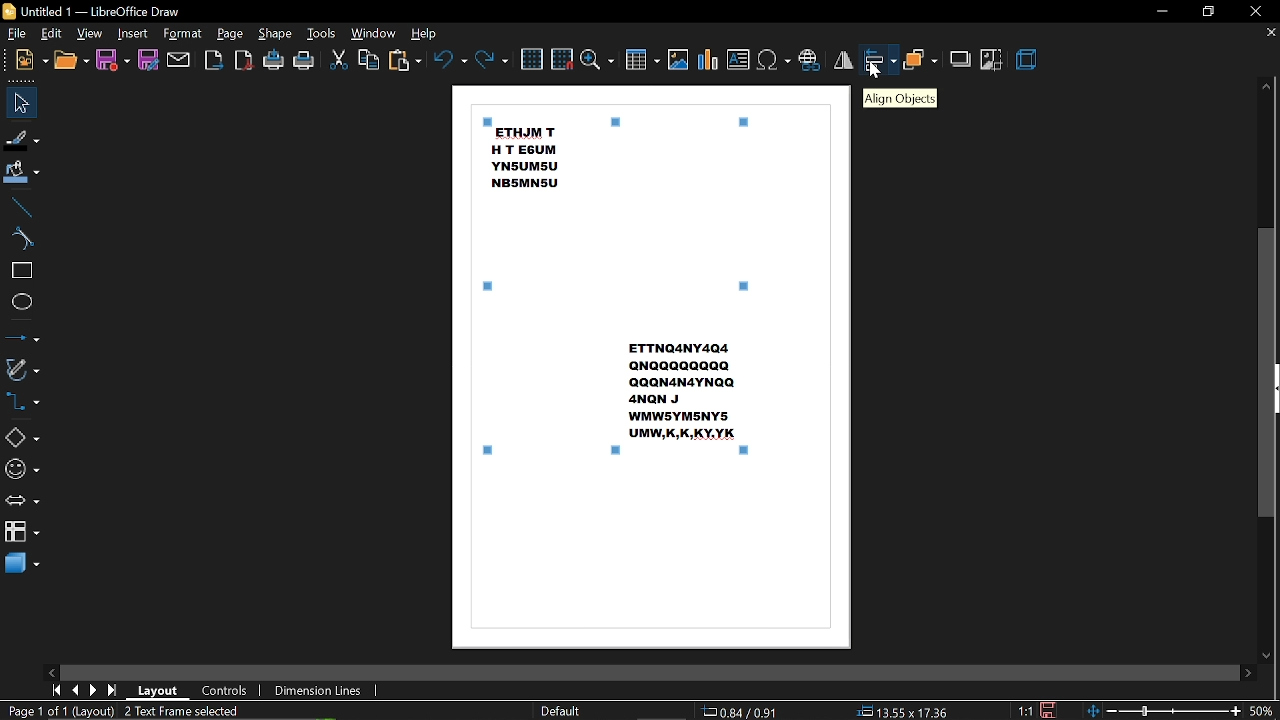 The image size is (1280, 720). What do you see at coordinates (810, 58) in the screenshot?
I see `insert hyperlink` at bounding box center [810, 58].